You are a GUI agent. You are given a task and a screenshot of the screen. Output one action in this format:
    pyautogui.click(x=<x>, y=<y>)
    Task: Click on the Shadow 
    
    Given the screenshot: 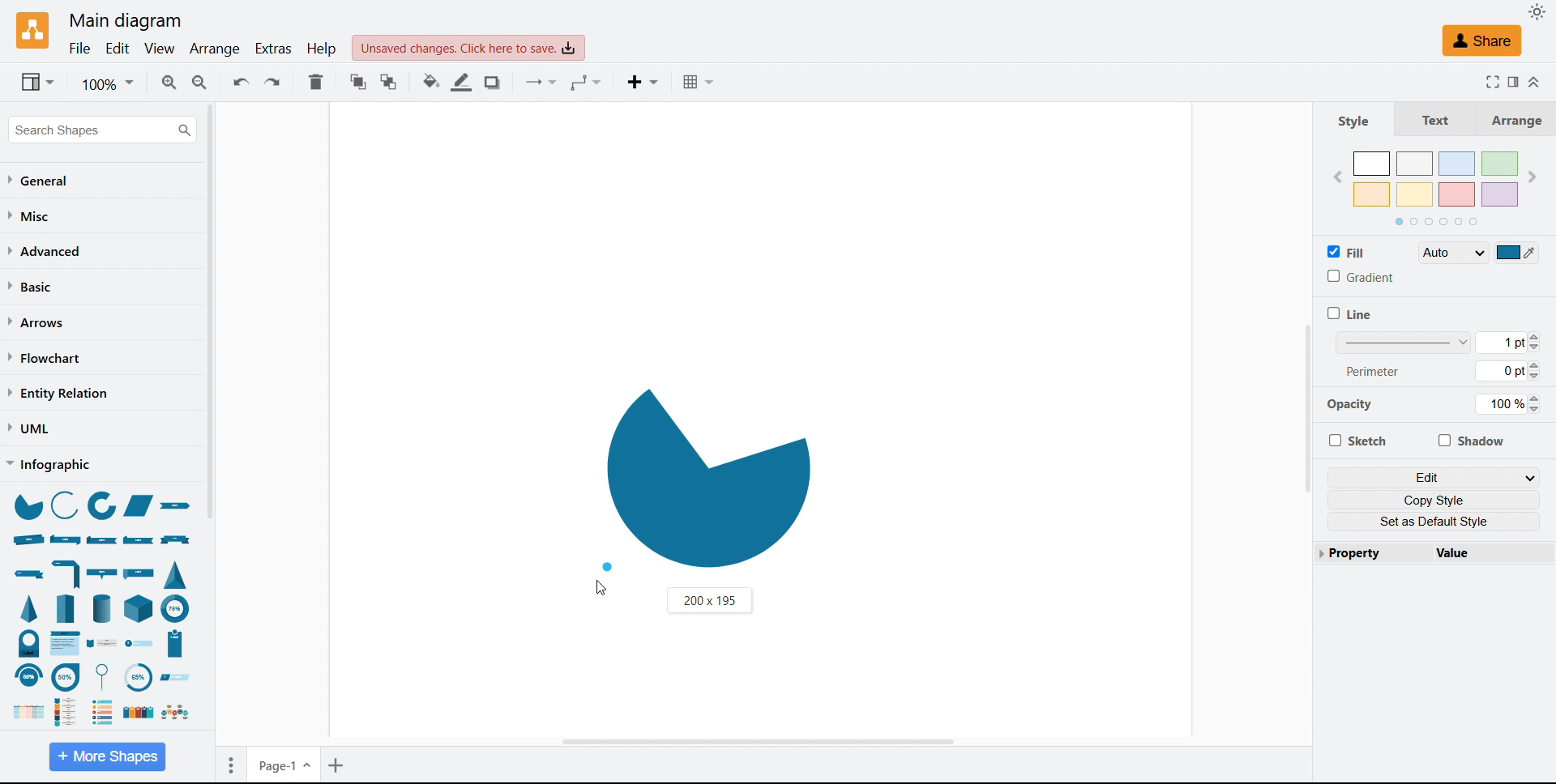 What is the action you would take?
    pyautogui.click(x=1470, y=440)
    